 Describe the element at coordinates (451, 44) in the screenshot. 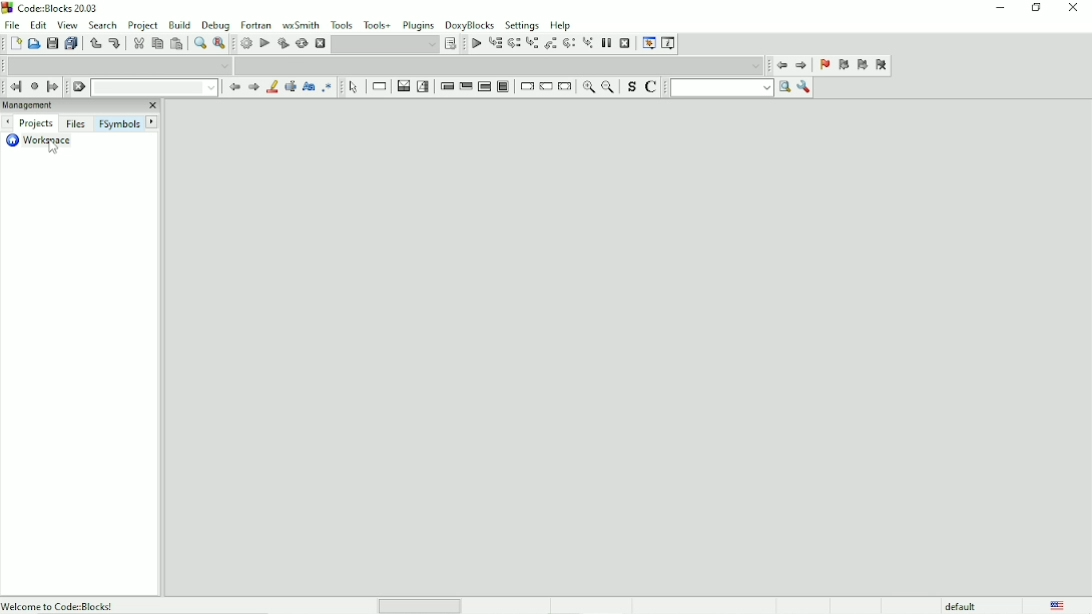

I see `Show the select target dialog` at that location.